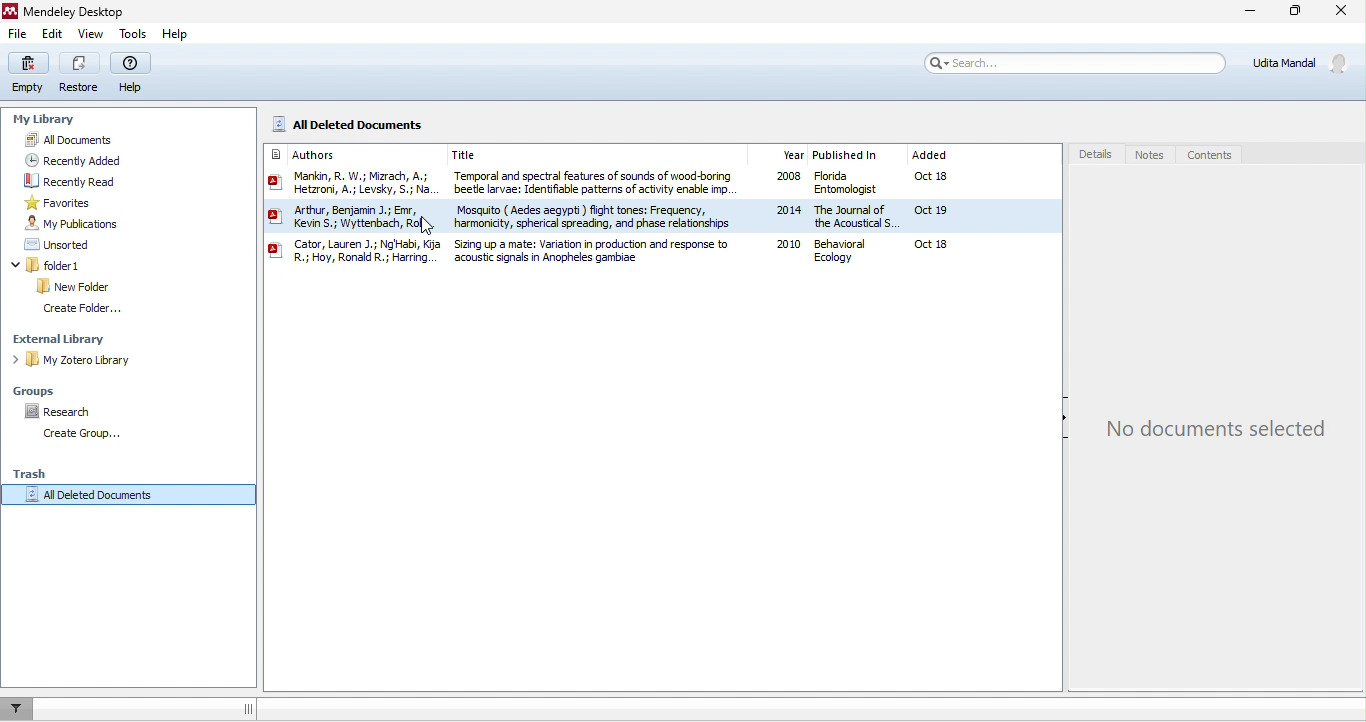  What do you see at coordinates (77, 265) in the screenshot?
I see `folder1` at bounding box center [77, 265].